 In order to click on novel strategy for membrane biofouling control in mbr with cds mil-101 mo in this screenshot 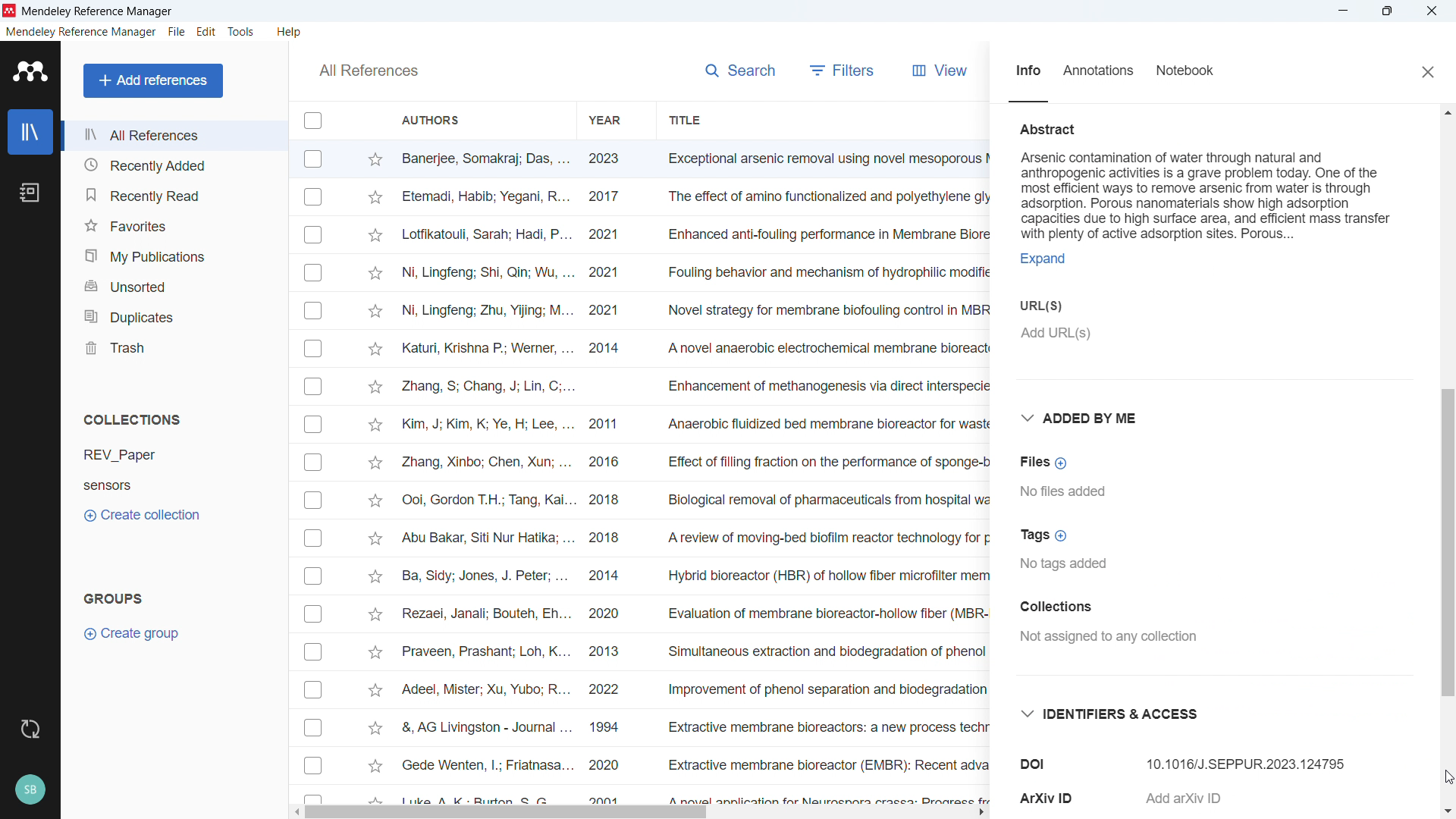, I will do `click(825, 309)`.